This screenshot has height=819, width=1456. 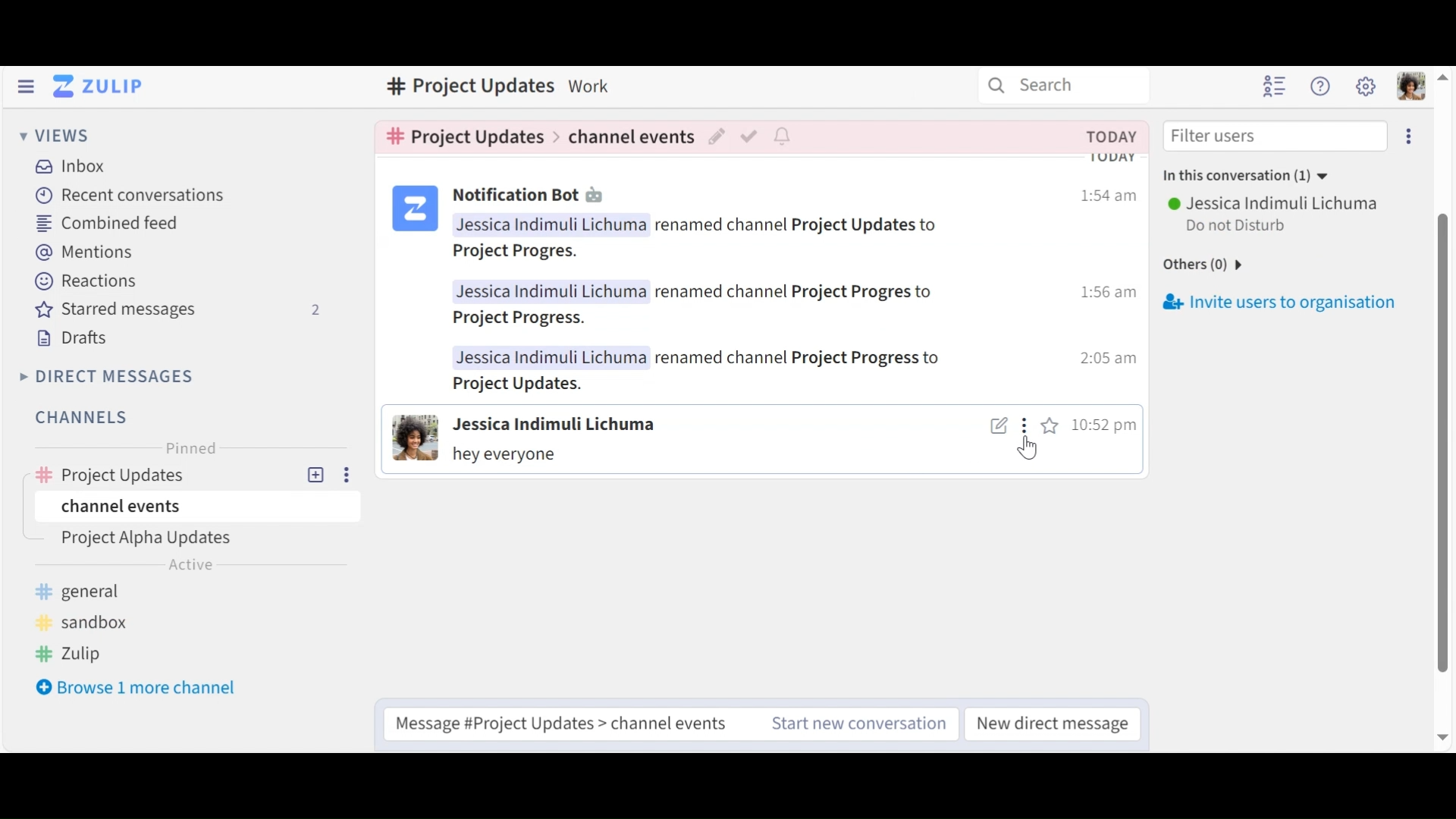 What do you see at coordinates (76, 165) in the screenshot?
I see `Inbox` at bounding box center [76, 165].